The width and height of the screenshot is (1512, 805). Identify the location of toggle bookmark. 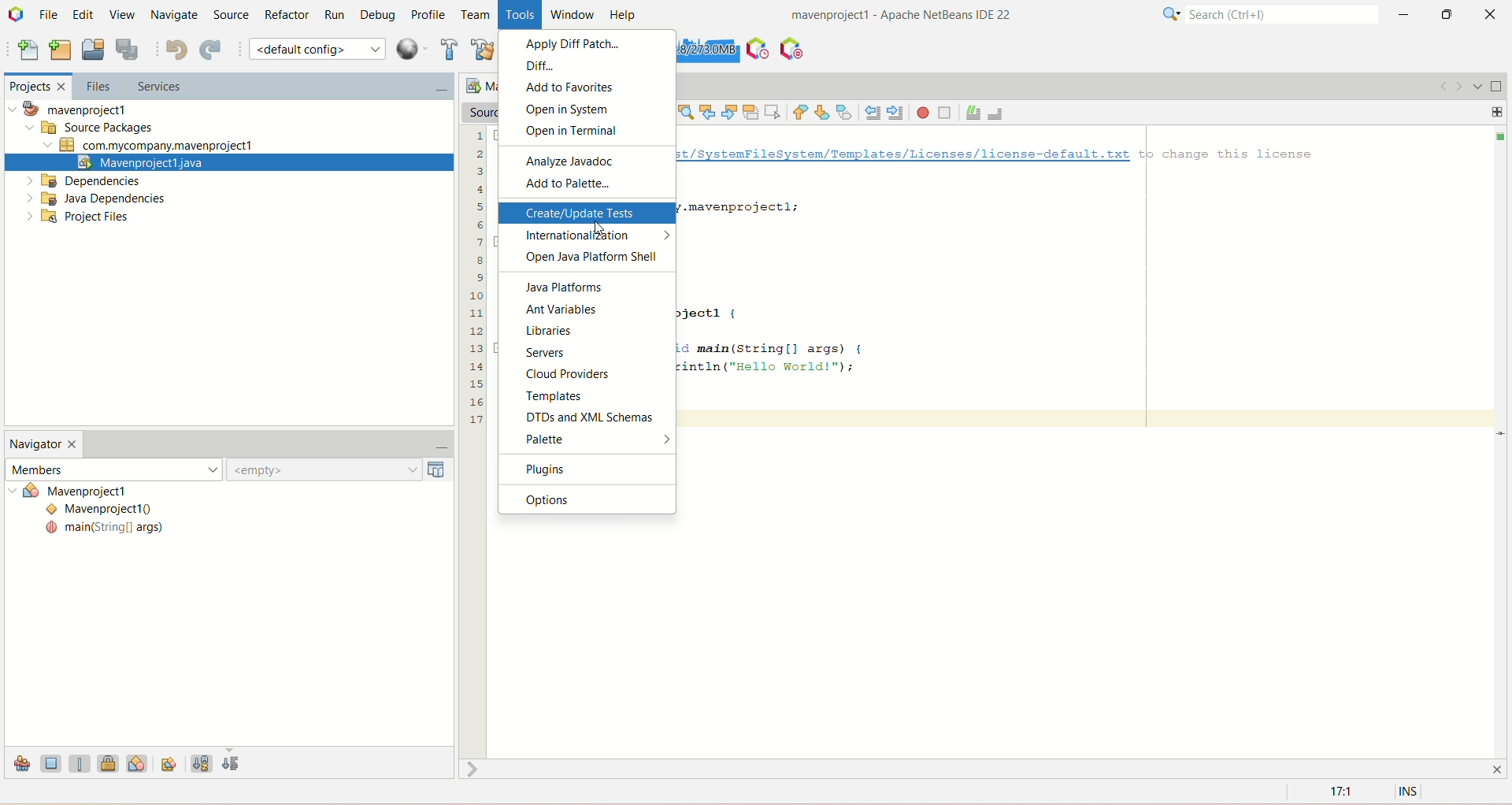
(847, 112).